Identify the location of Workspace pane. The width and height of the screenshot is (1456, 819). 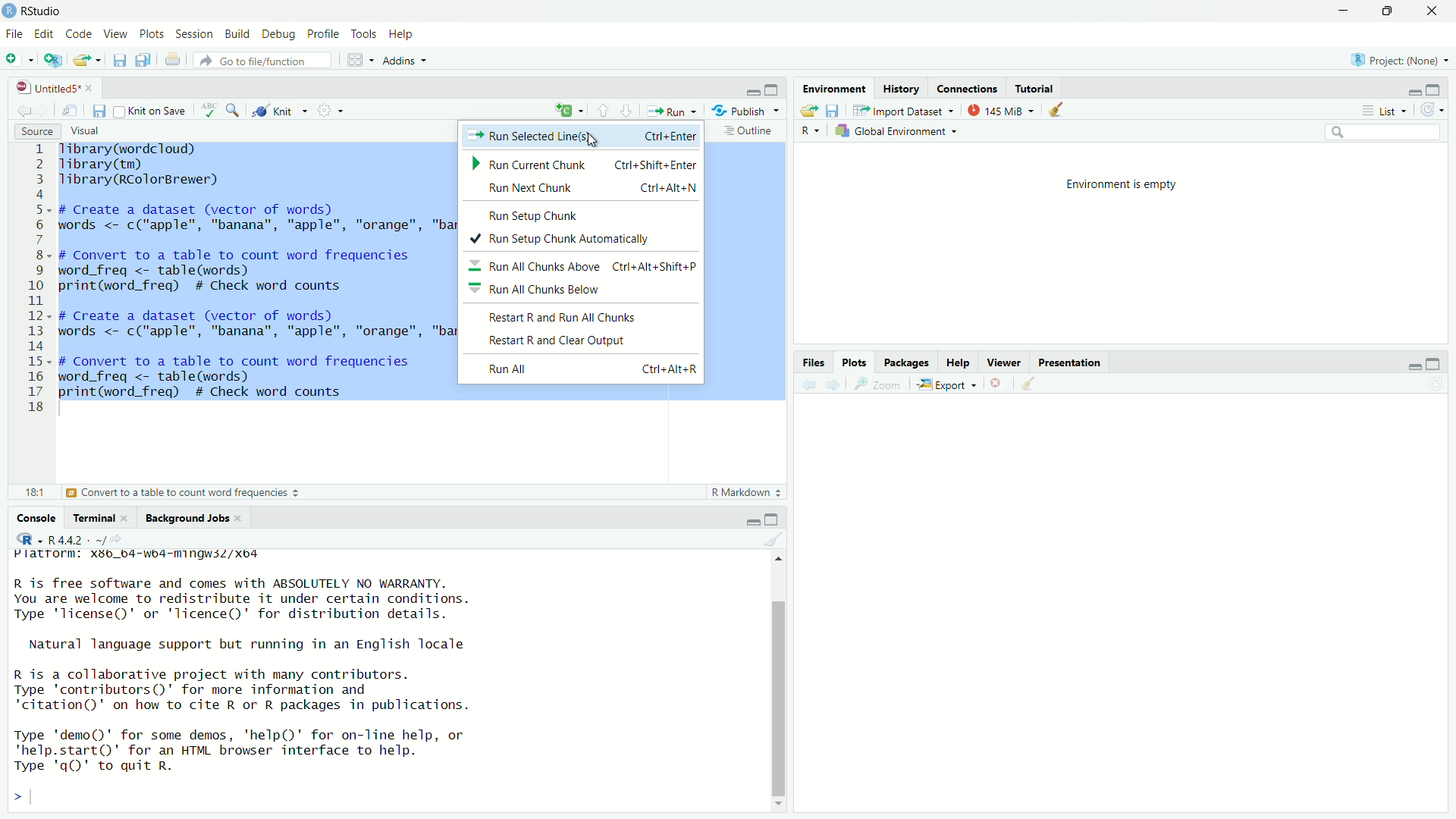
(360, 59).